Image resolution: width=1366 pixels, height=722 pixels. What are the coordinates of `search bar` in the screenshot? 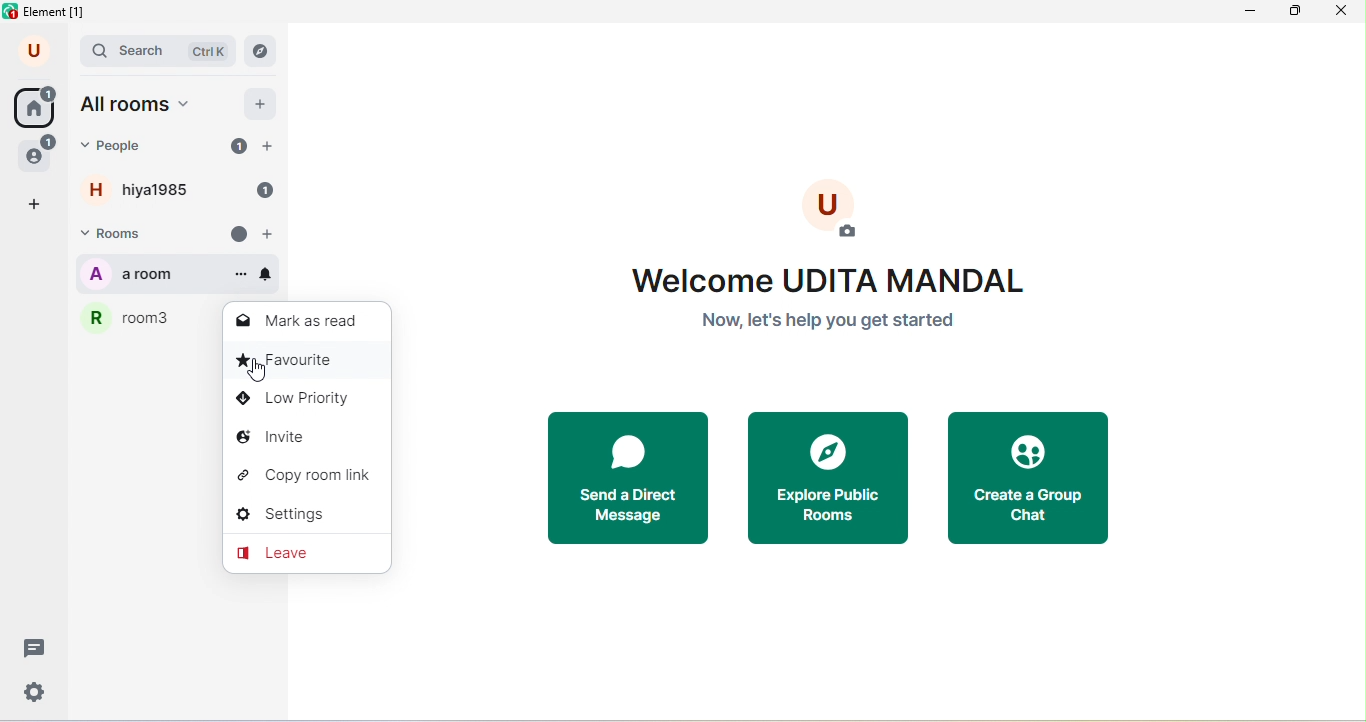 It's located at (159, 52).